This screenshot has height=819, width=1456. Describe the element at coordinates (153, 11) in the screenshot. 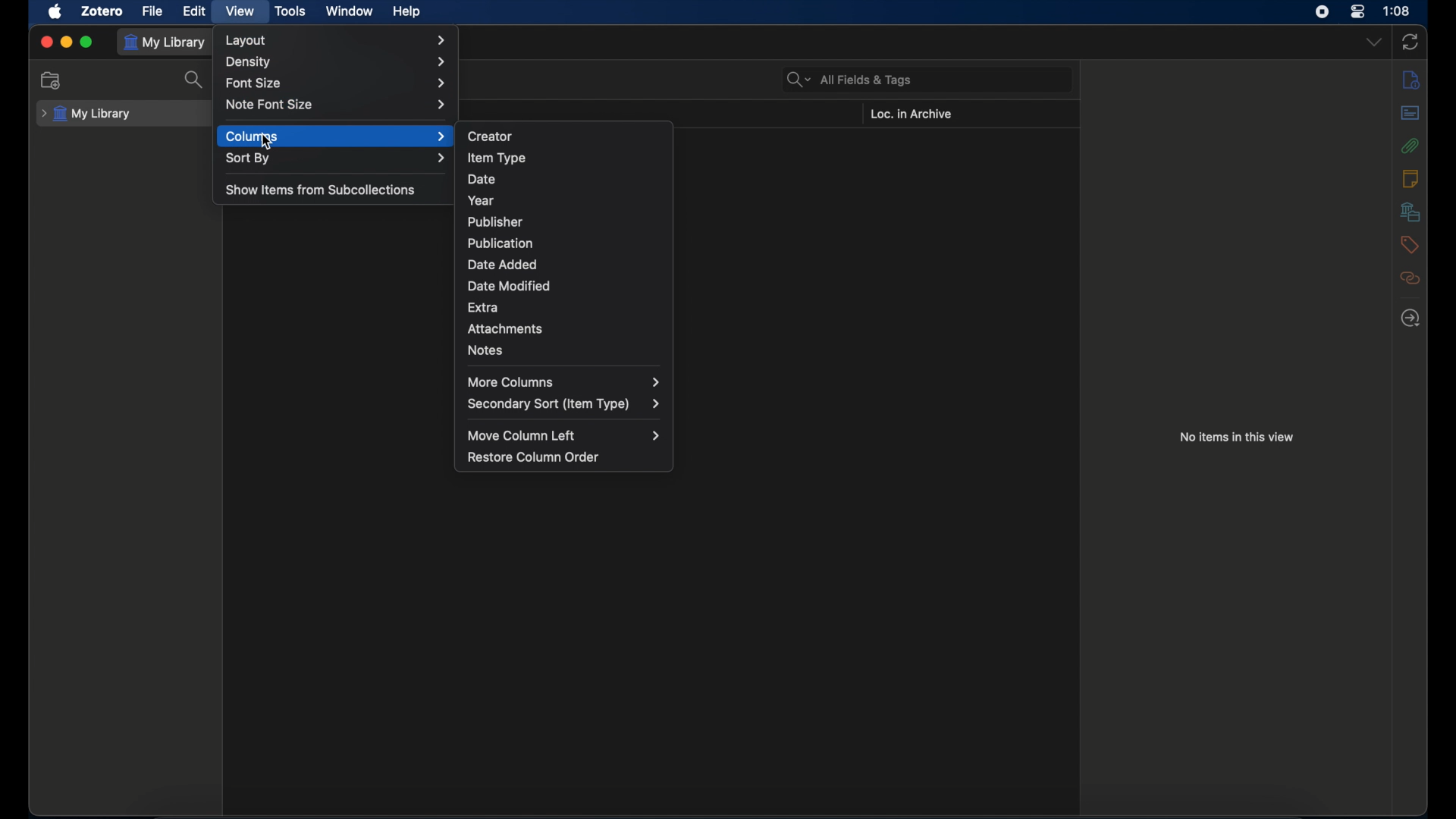

I see `file` at that location.